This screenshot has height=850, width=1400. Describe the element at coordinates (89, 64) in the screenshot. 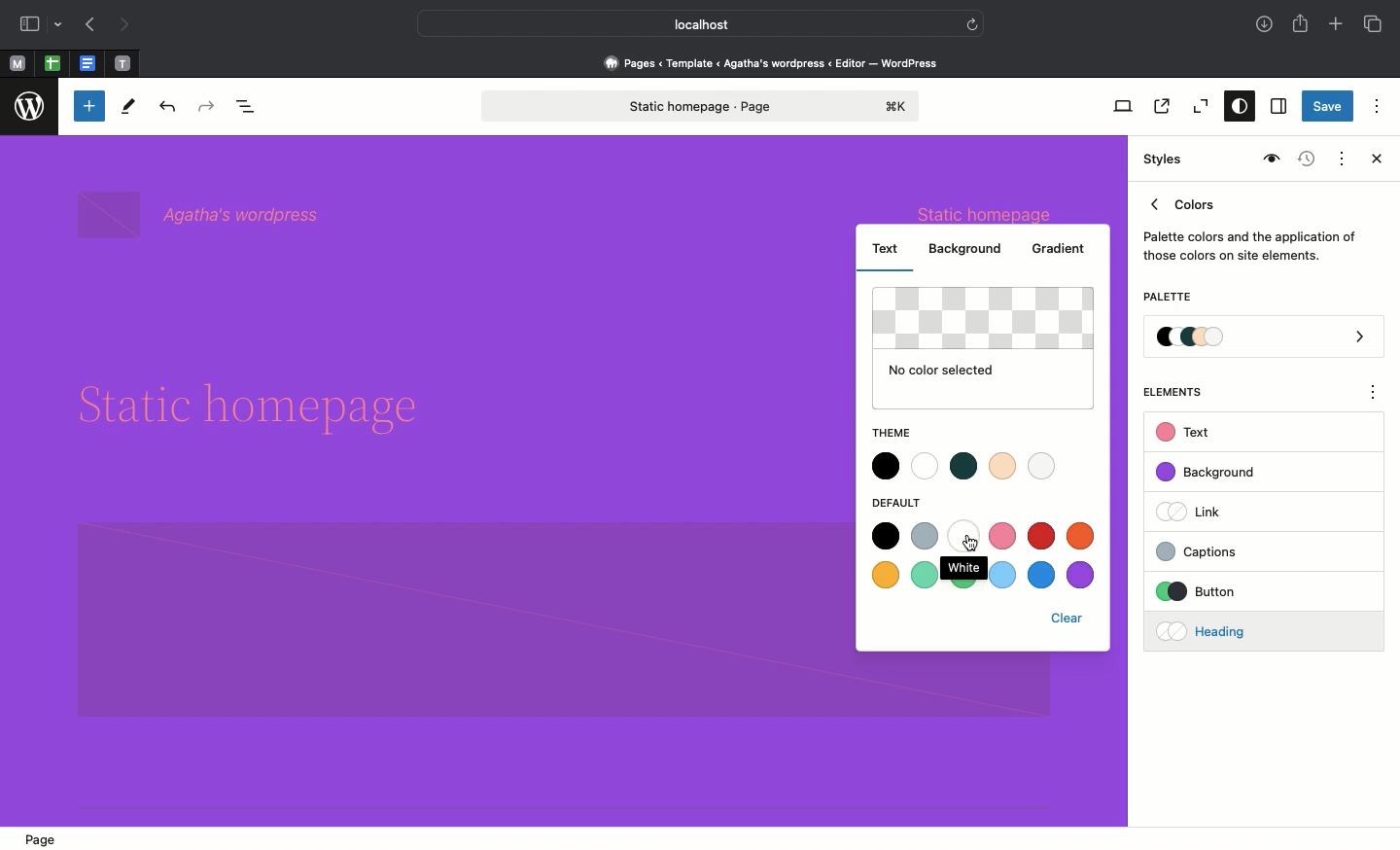

I see `Pinned tab` at that location.